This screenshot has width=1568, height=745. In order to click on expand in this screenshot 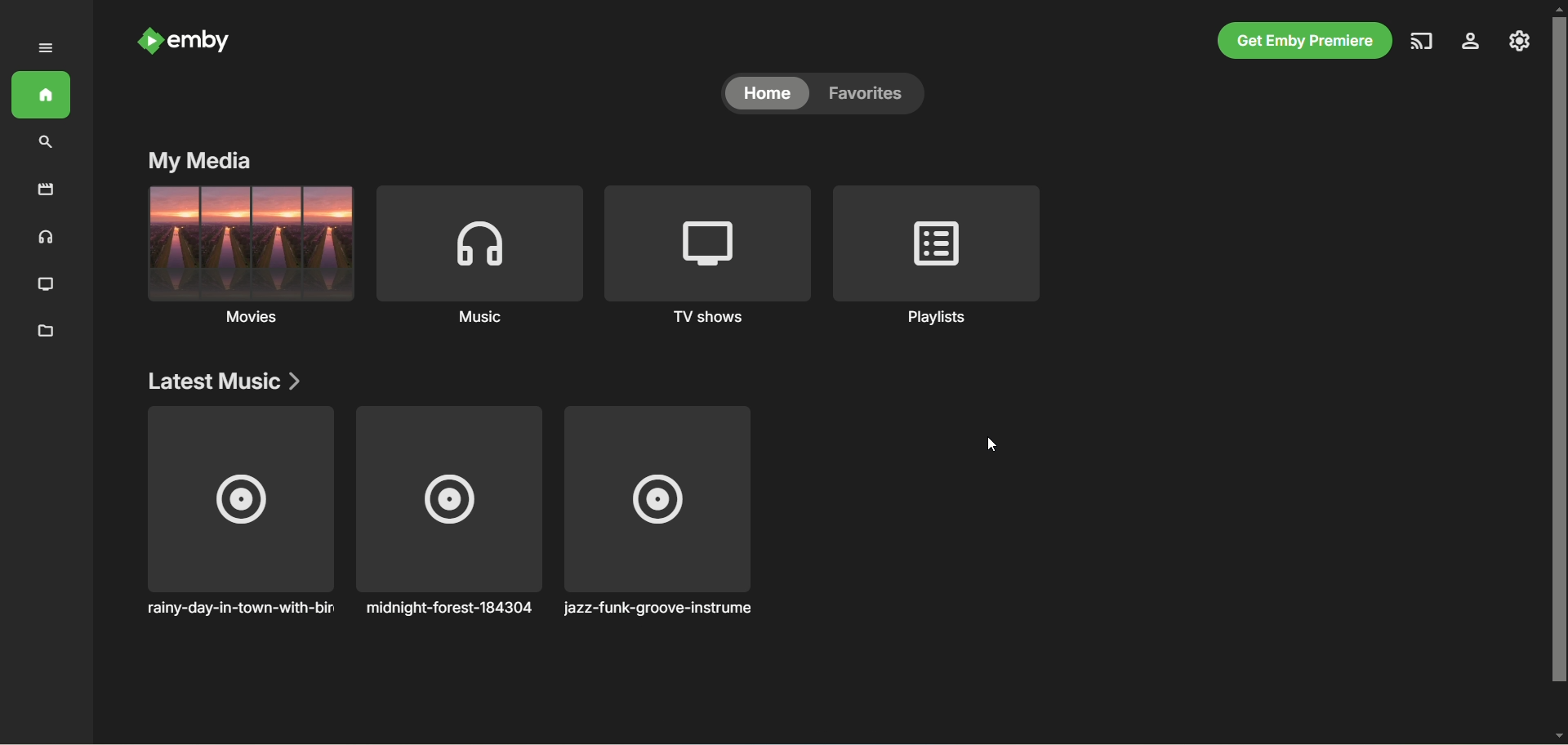, I will do `click(47, 47)`.